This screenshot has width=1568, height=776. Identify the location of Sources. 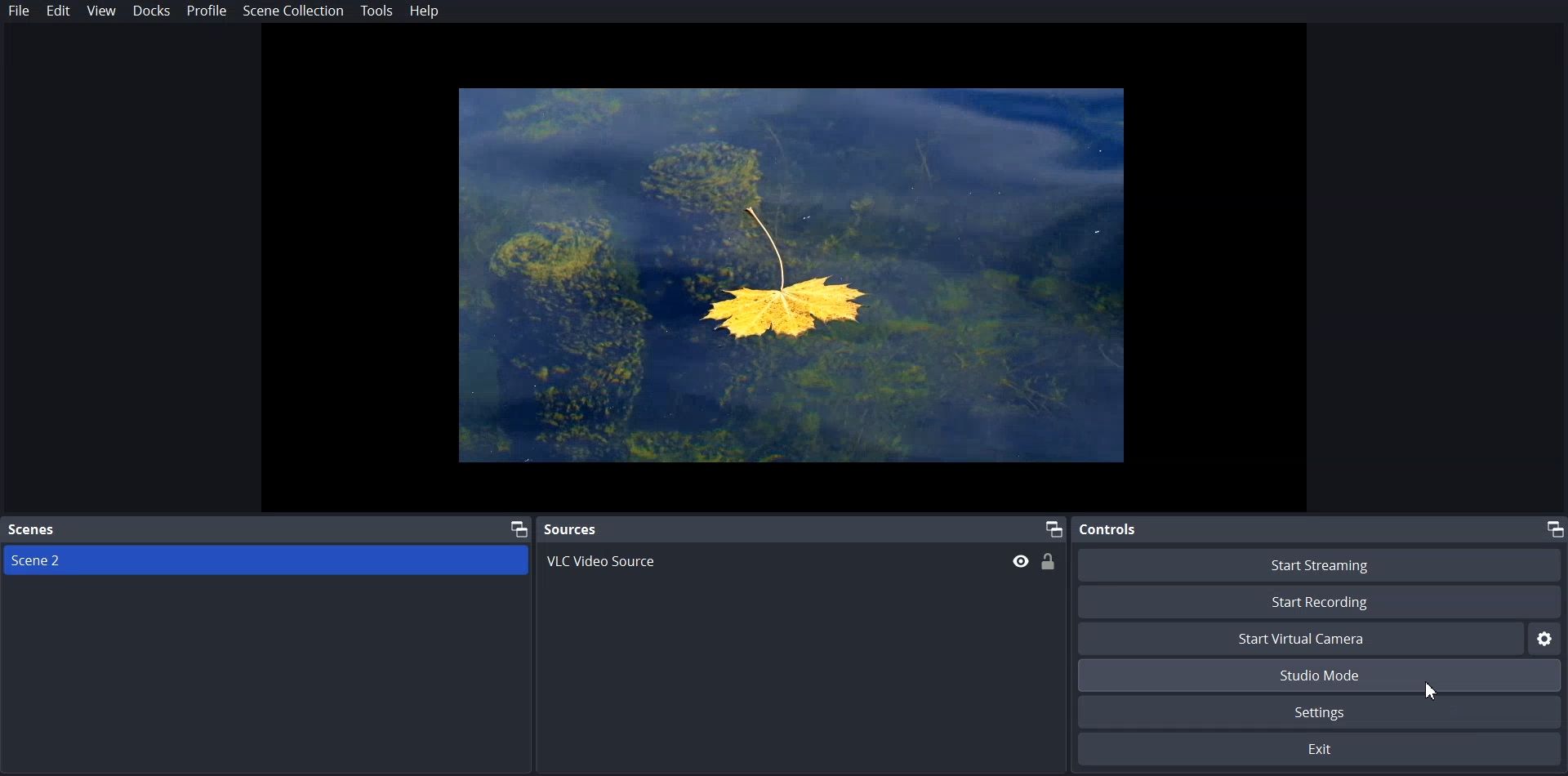
(570, 528).